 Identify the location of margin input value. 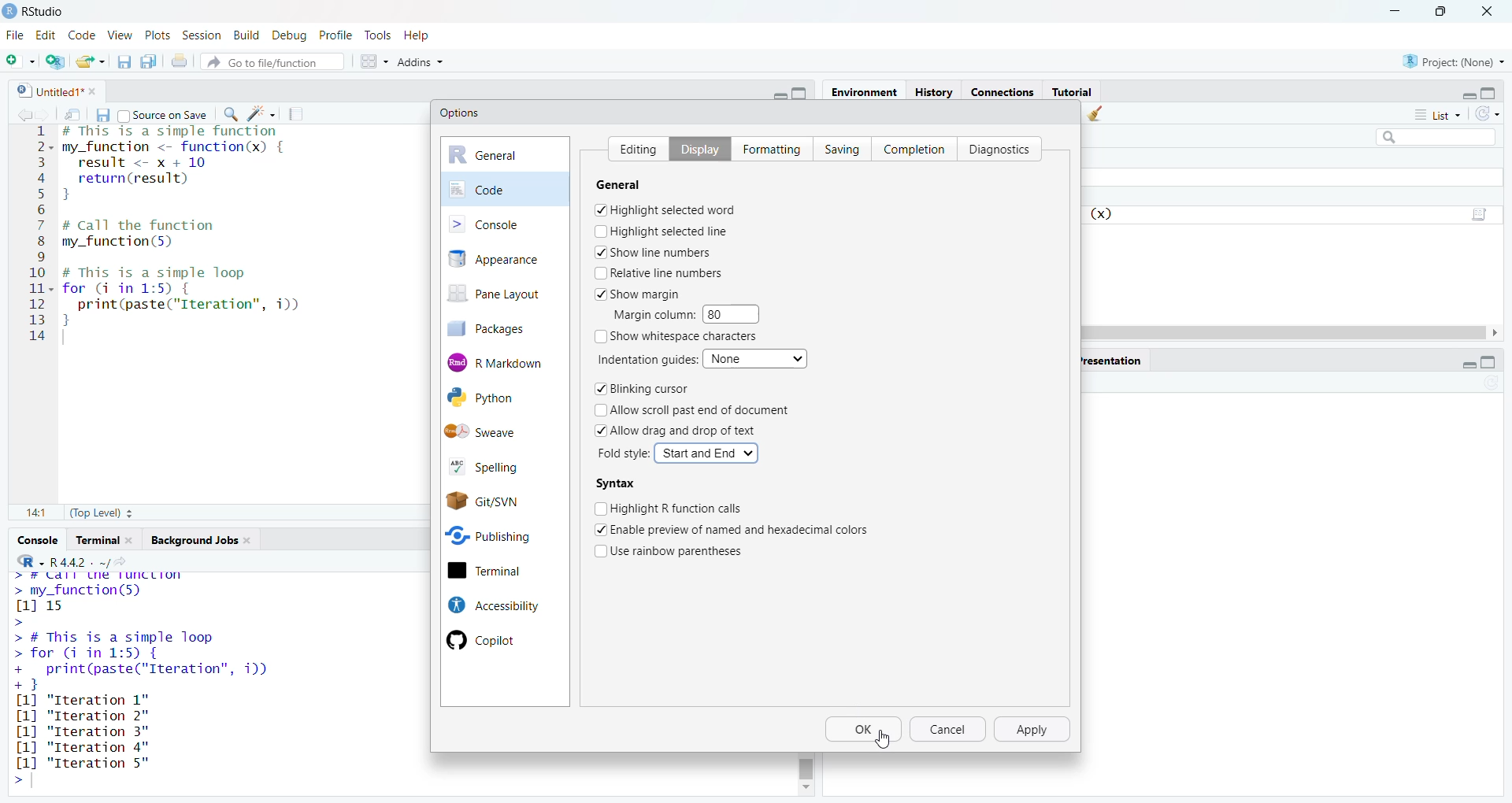
(737, 313).